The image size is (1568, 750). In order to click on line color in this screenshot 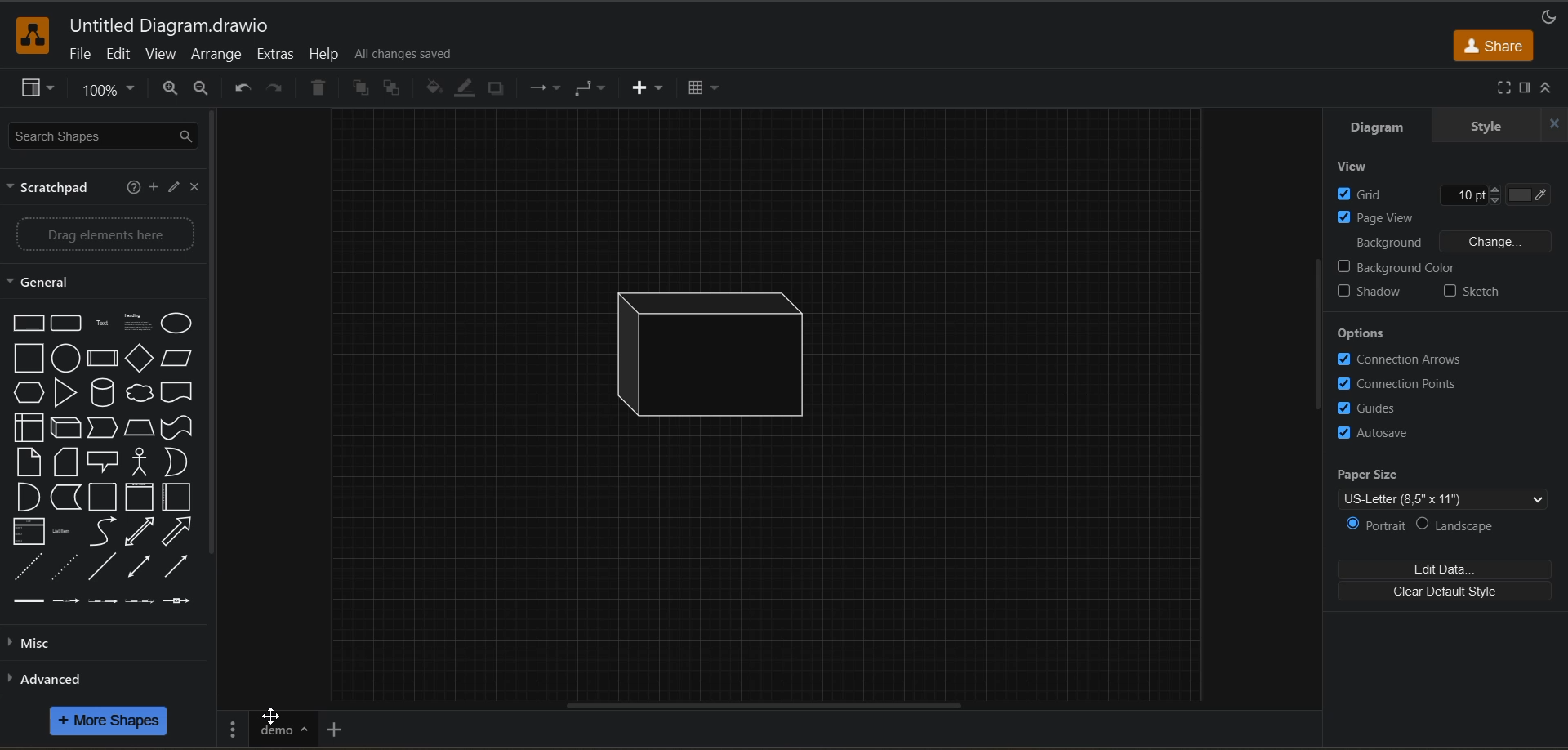, I will do `click(466, 89)`.